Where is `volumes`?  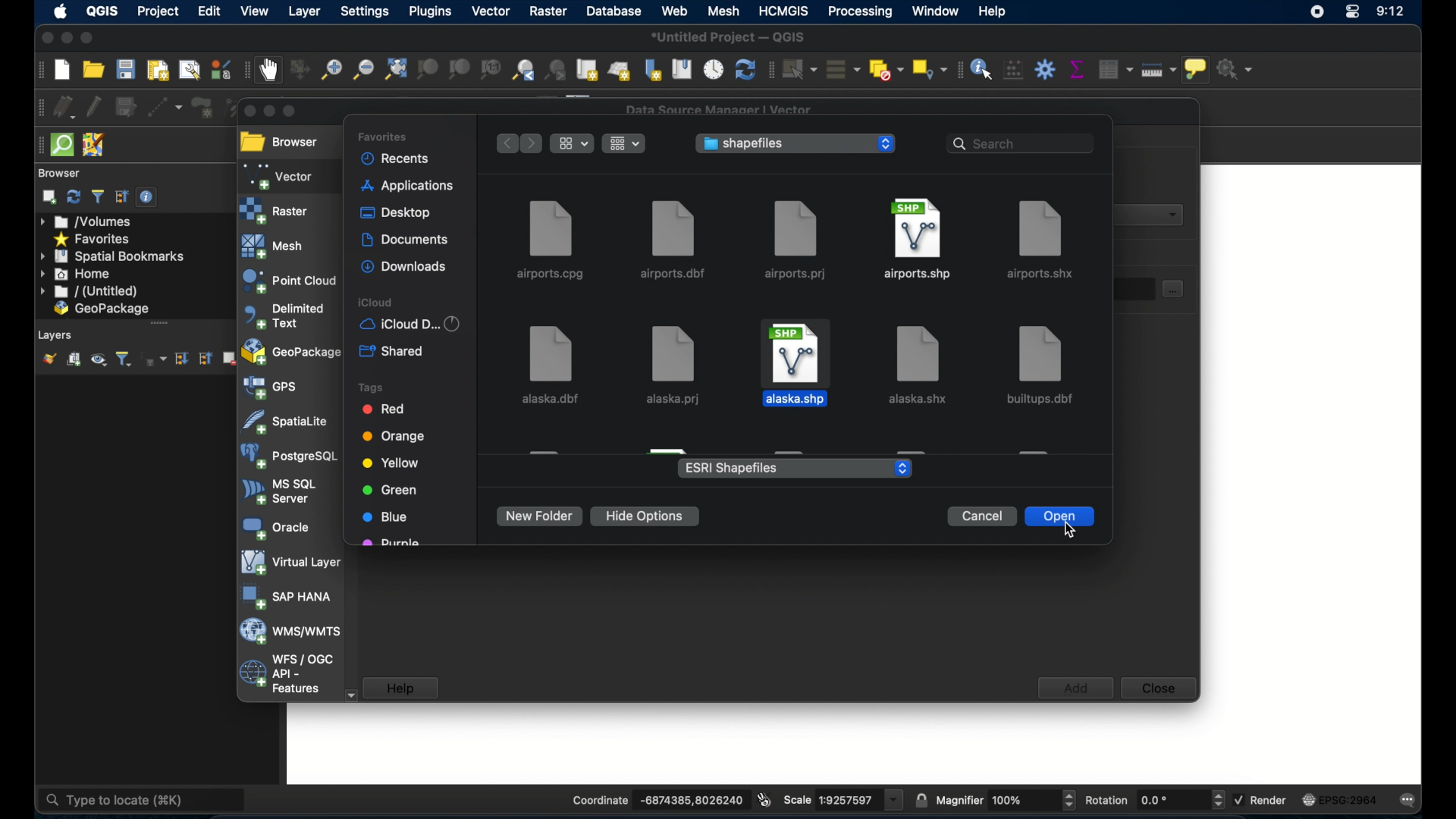
volumes is located at coordinates (93, 221).